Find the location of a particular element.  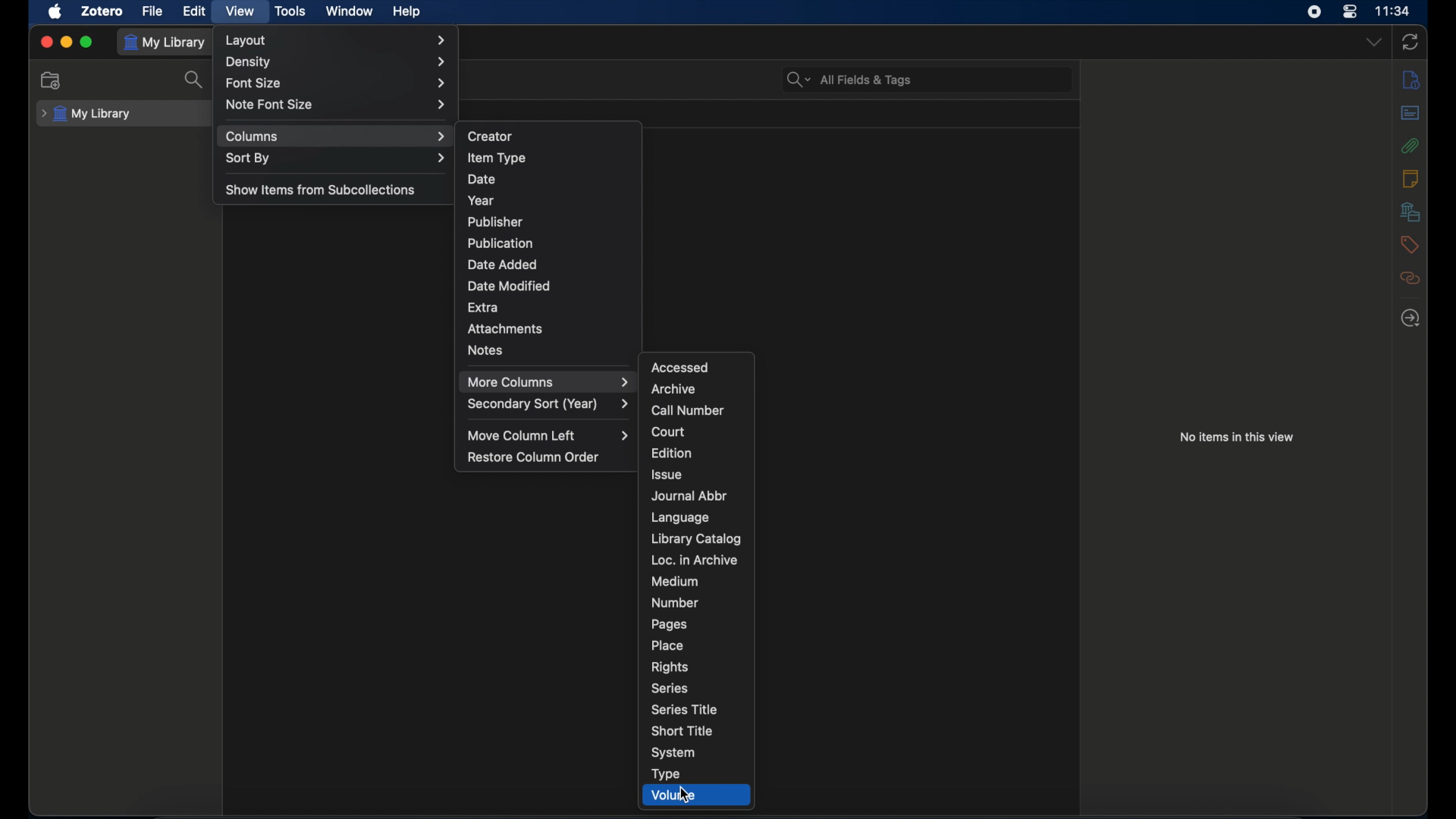

no items in this view is located at coordinates (1237, 437).